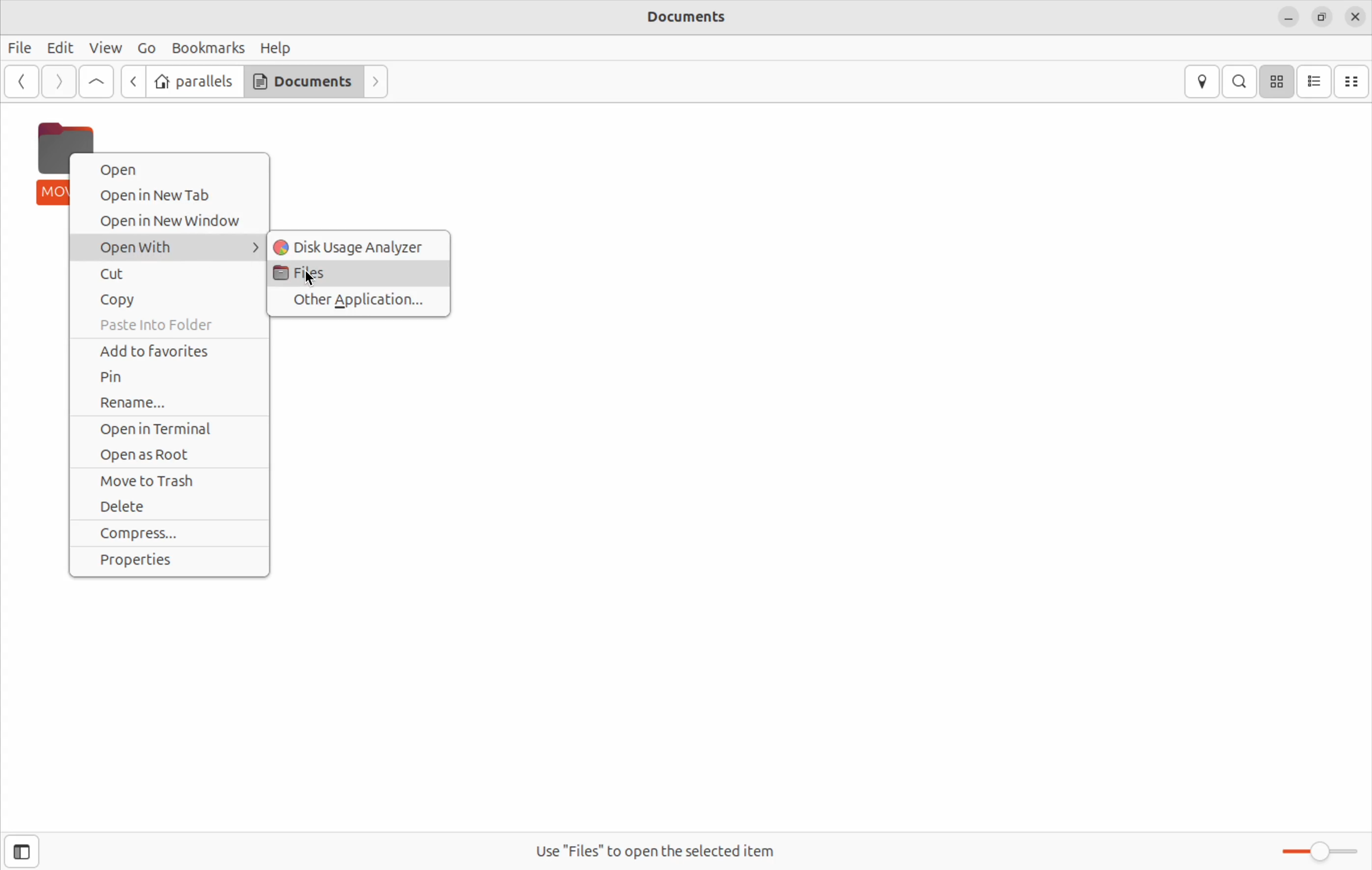 Image resolution: width=1372 pixels, height=870 pixels. I want to click on minimize, so click(1290, 18).